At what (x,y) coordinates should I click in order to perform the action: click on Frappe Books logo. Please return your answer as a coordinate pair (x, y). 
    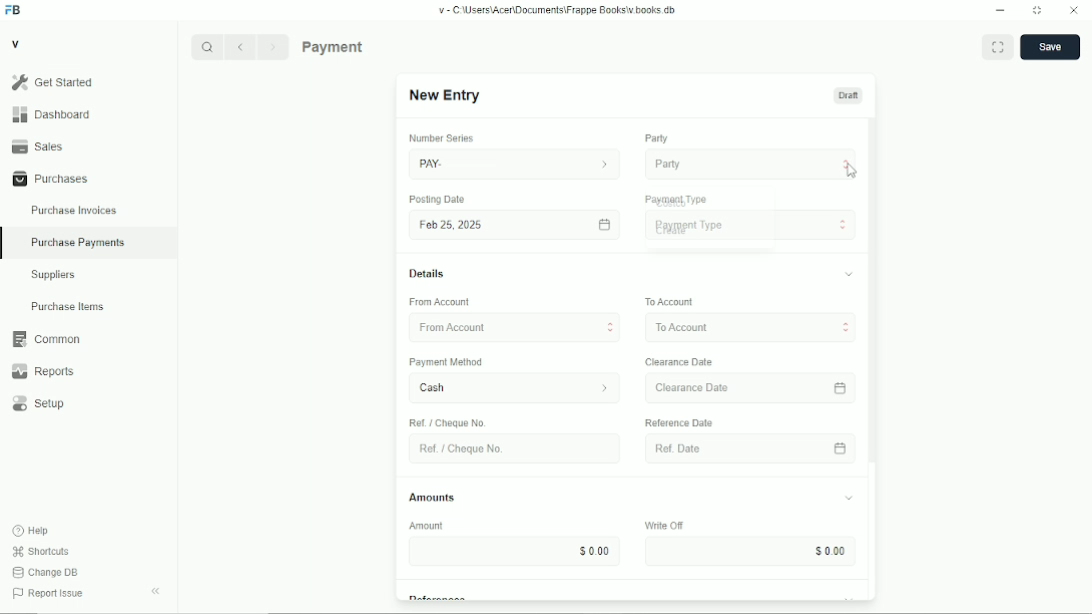
    Looking at the image, I should click on (12, 10).